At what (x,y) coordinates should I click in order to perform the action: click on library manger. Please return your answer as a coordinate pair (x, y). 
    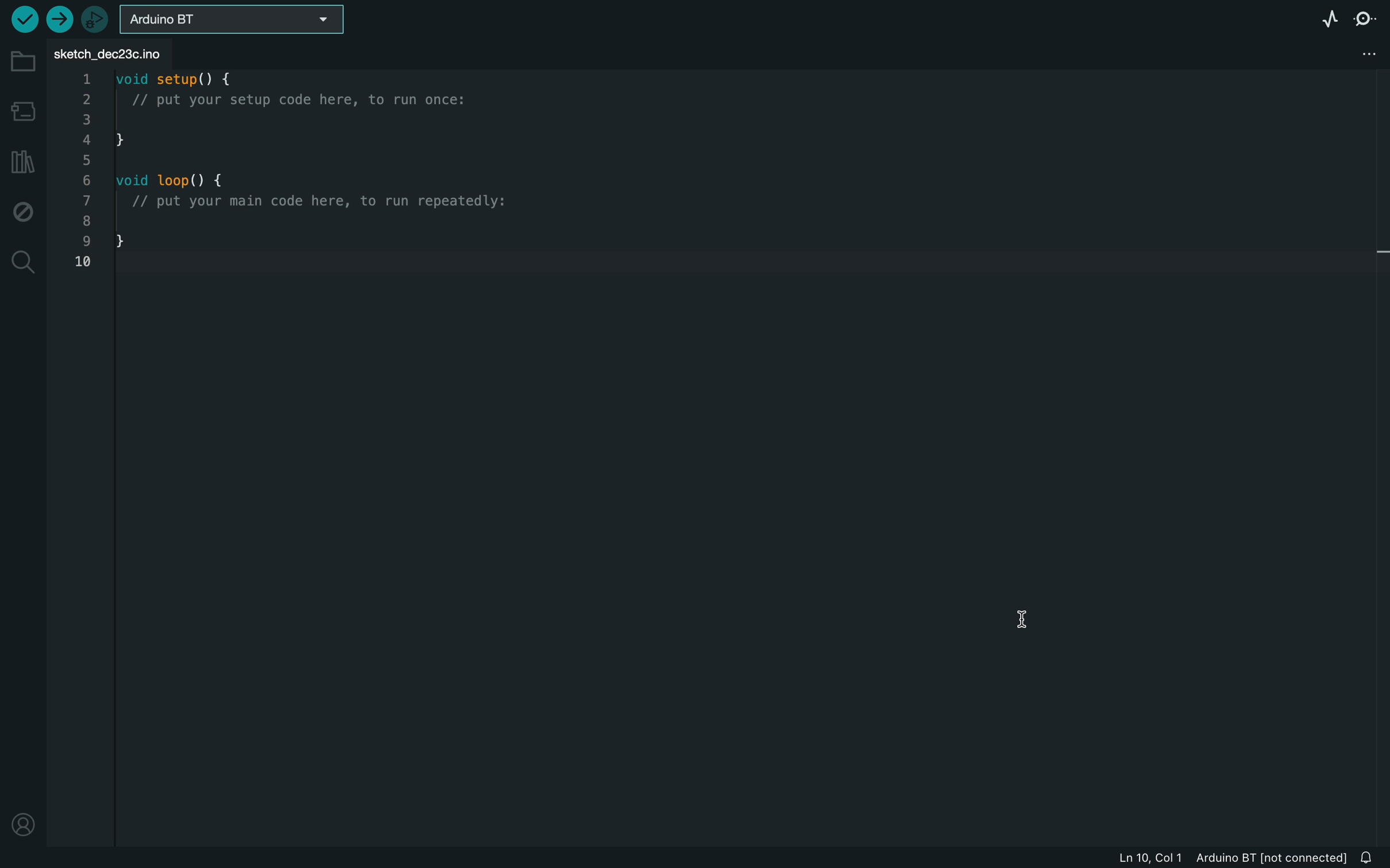
    Looking at the image, I should click on (24, 160).